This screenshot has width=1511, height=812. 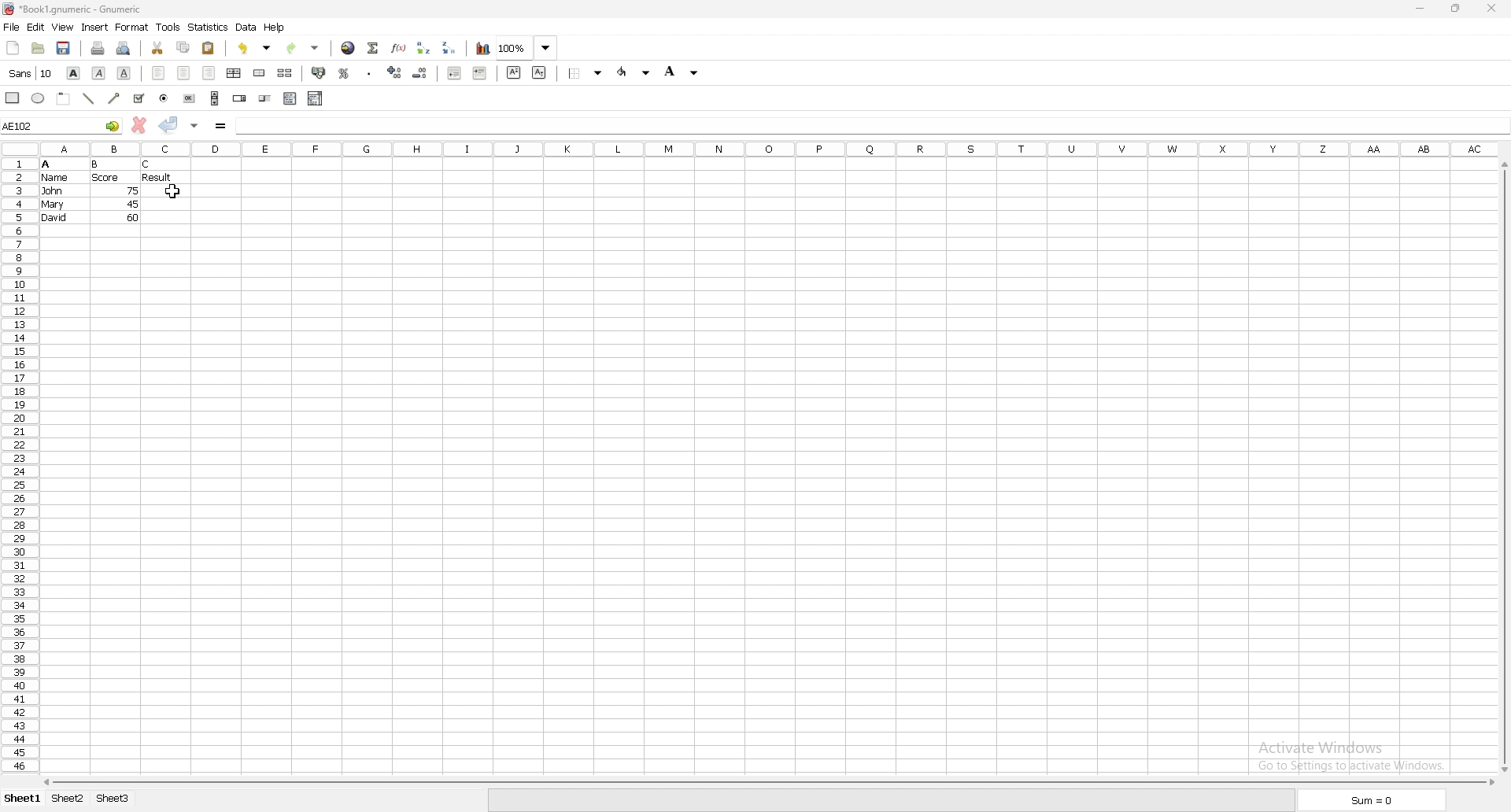 What do you see at coordinates (319, 73) in the screenshot?
I see `accounting` at bounding box center [319, 73].